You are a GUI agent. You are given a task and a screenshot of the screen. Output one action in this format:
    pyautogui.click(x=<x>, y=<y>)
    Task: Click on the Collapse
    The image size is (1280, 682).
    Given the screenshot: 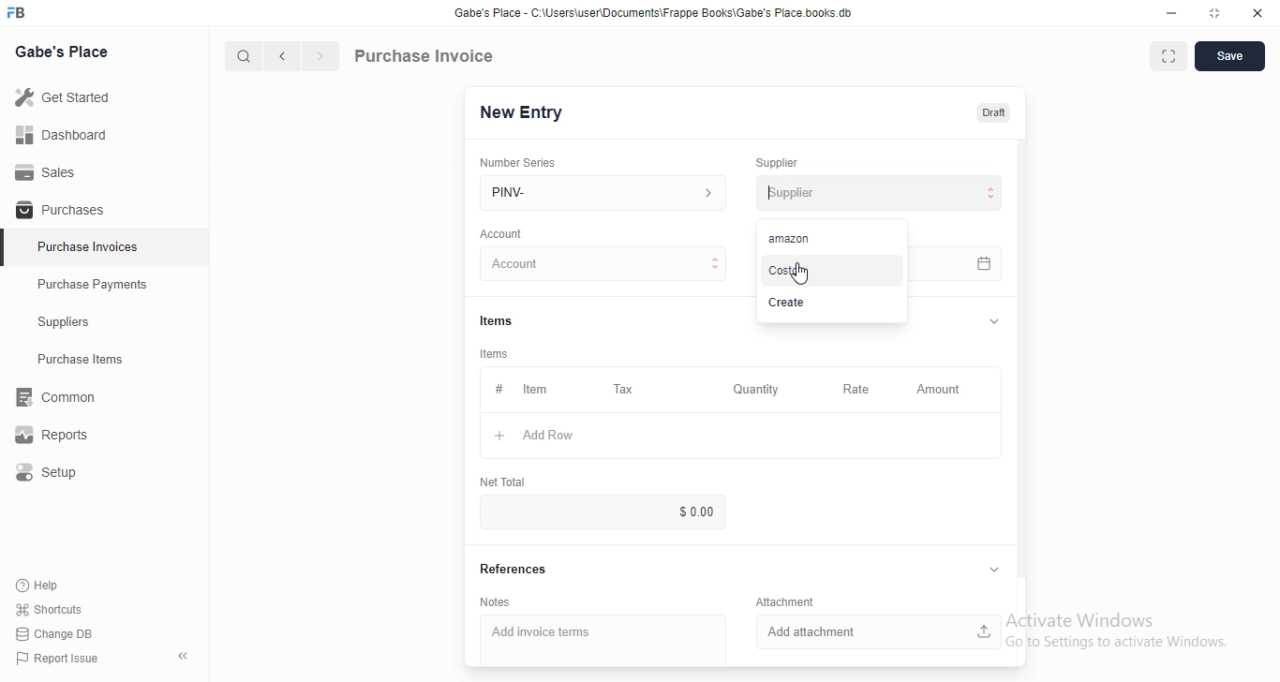 What is the action you would take?
    pyautogui.click(x=183, y=656)
    